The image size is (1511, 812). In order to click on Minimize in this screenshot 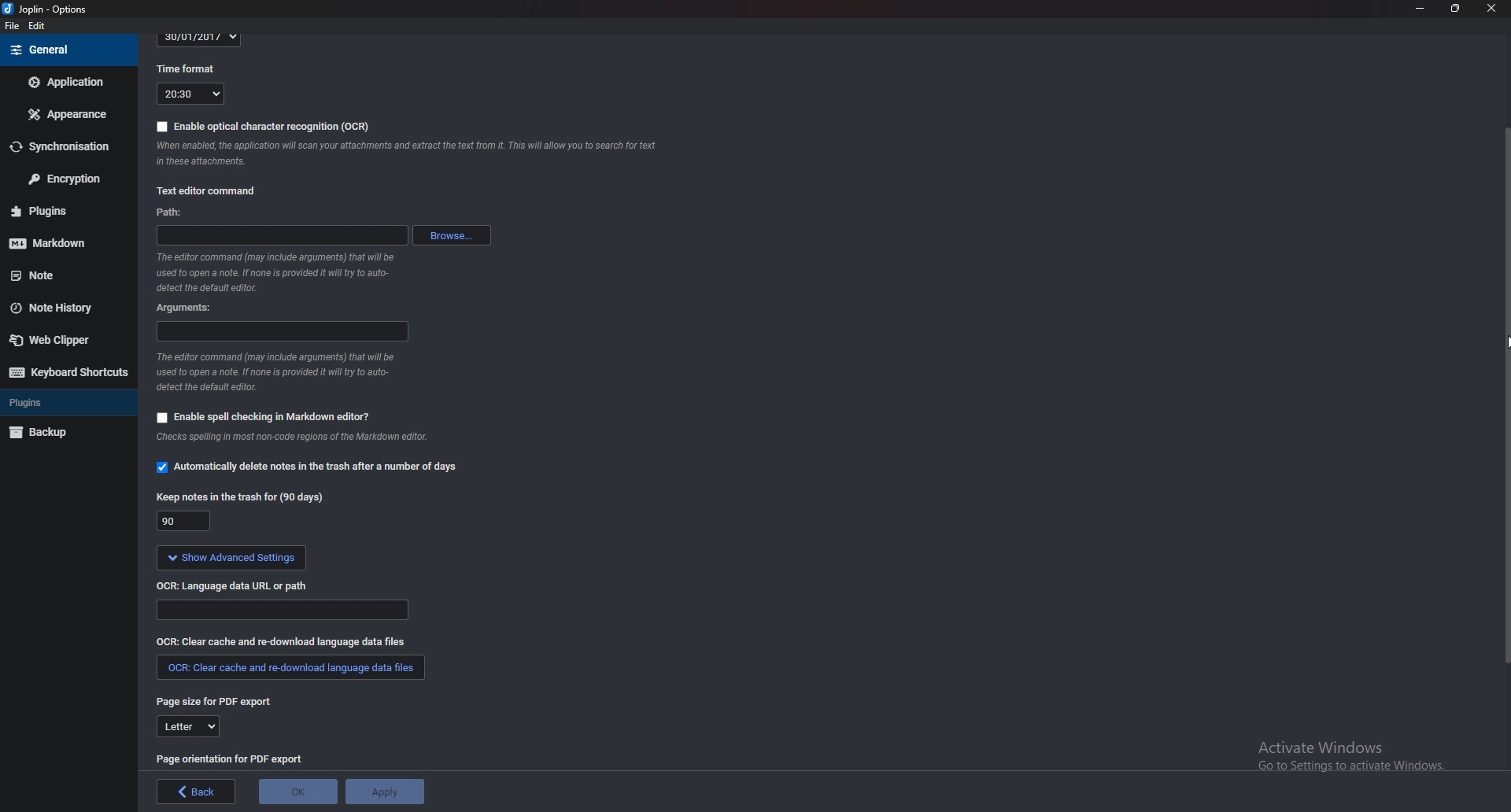, I will do `click(1420, 8)`.